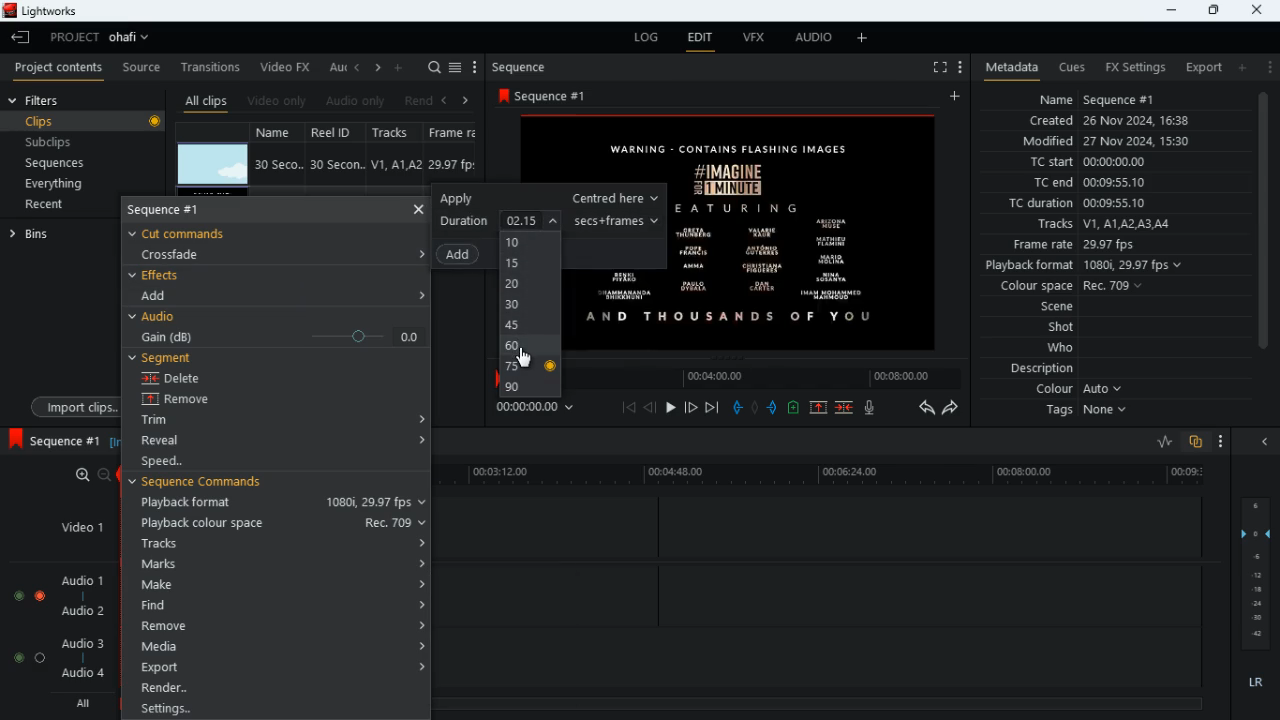  I want to click on backward, so click(926, 407).